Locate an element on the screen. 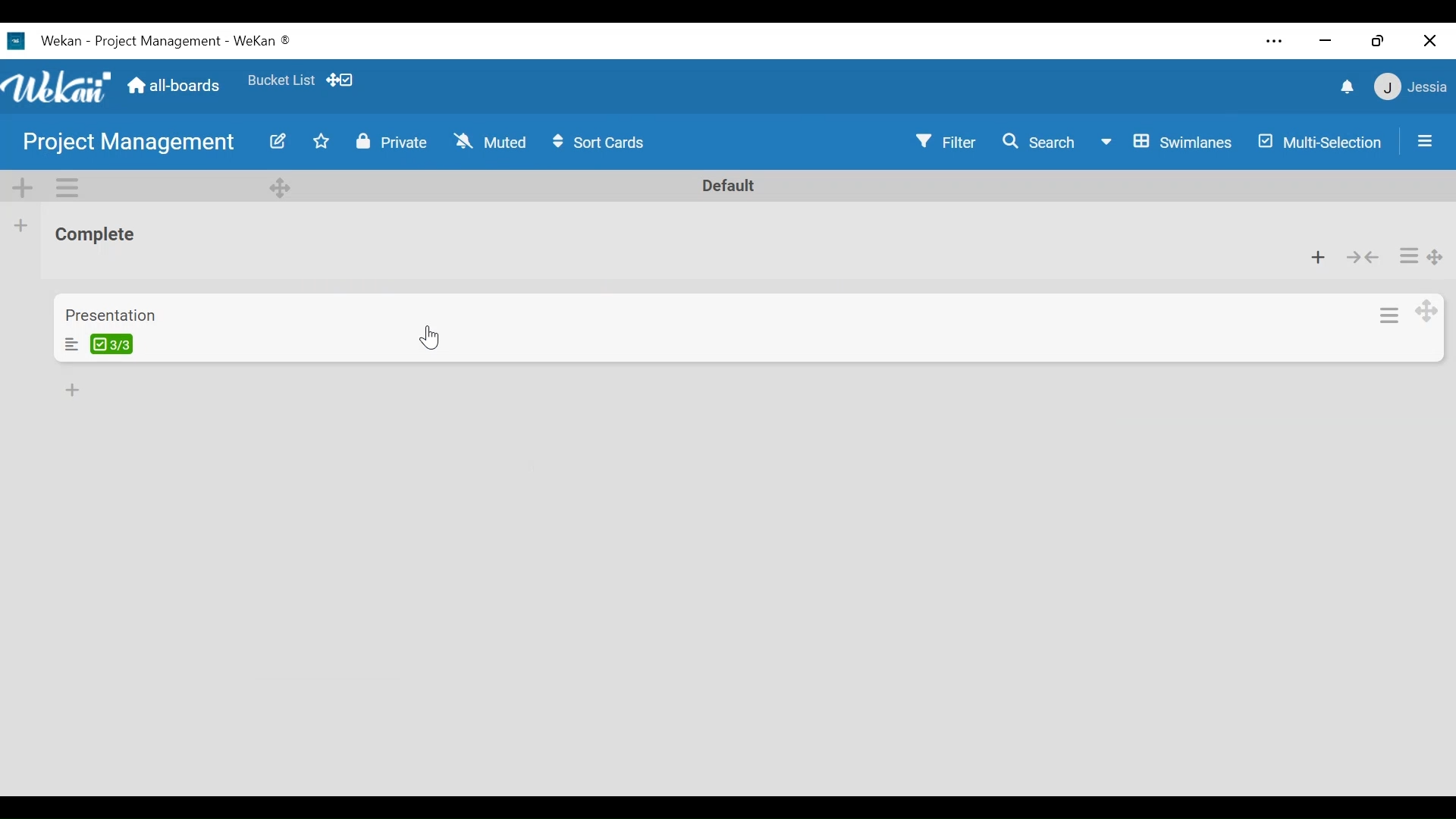 Image resolution: width=1456 pixels, height=819 pixels. Checklist is located at coordinates (111, 344).